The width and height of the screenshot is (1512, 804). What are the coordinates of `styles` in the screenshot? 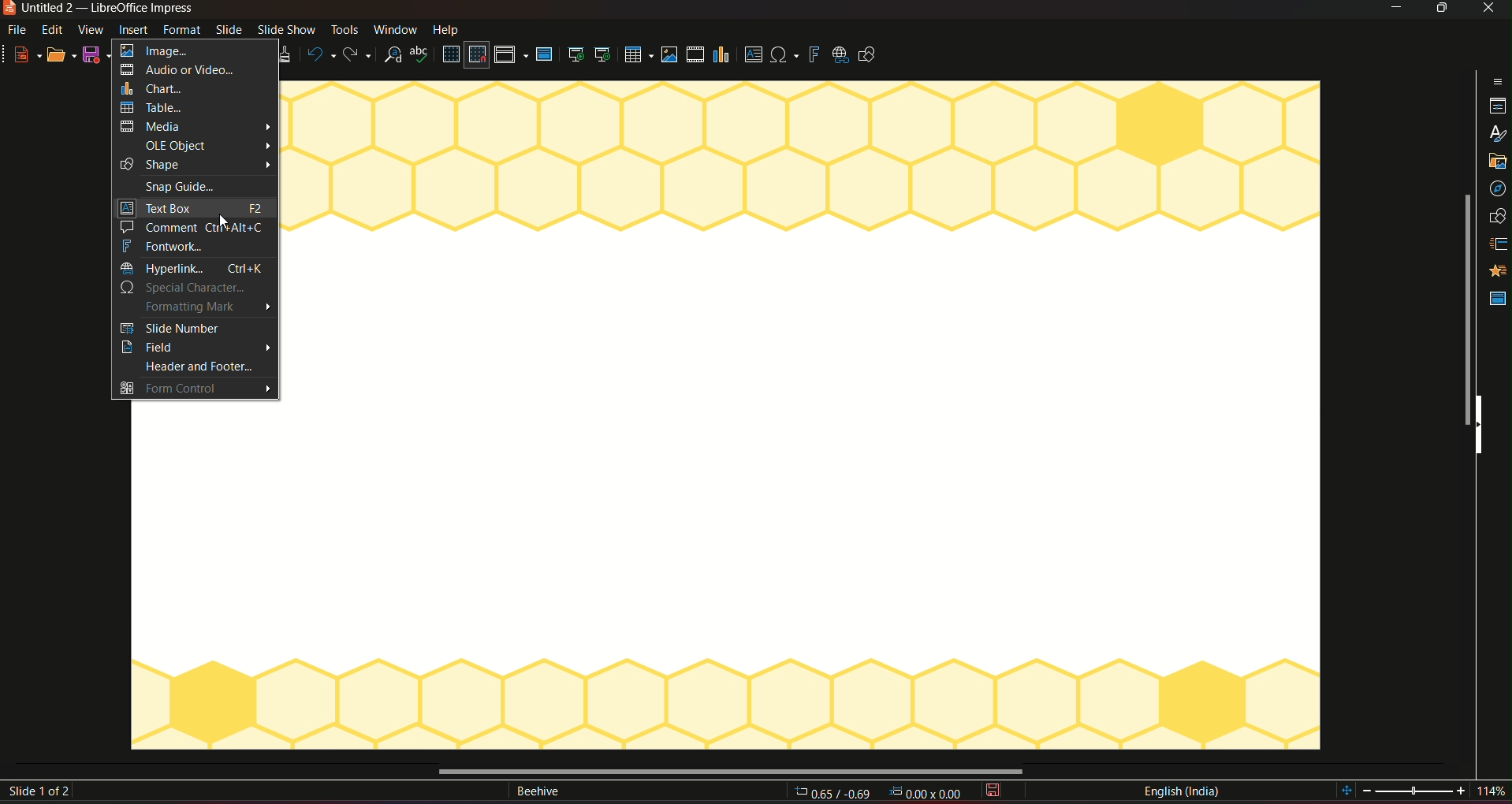 It's located at (1496, 134).